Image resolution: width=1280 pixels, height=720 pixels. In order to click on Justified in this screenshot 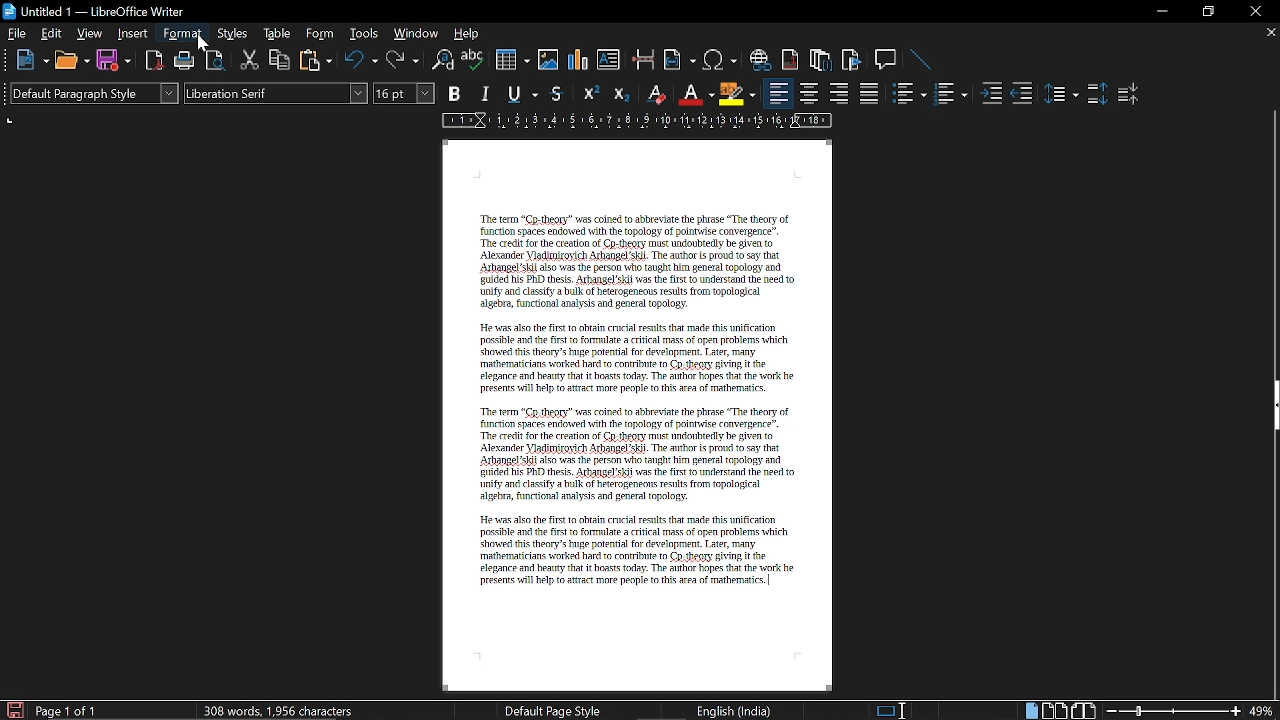, I will do `click(871, 93)`.